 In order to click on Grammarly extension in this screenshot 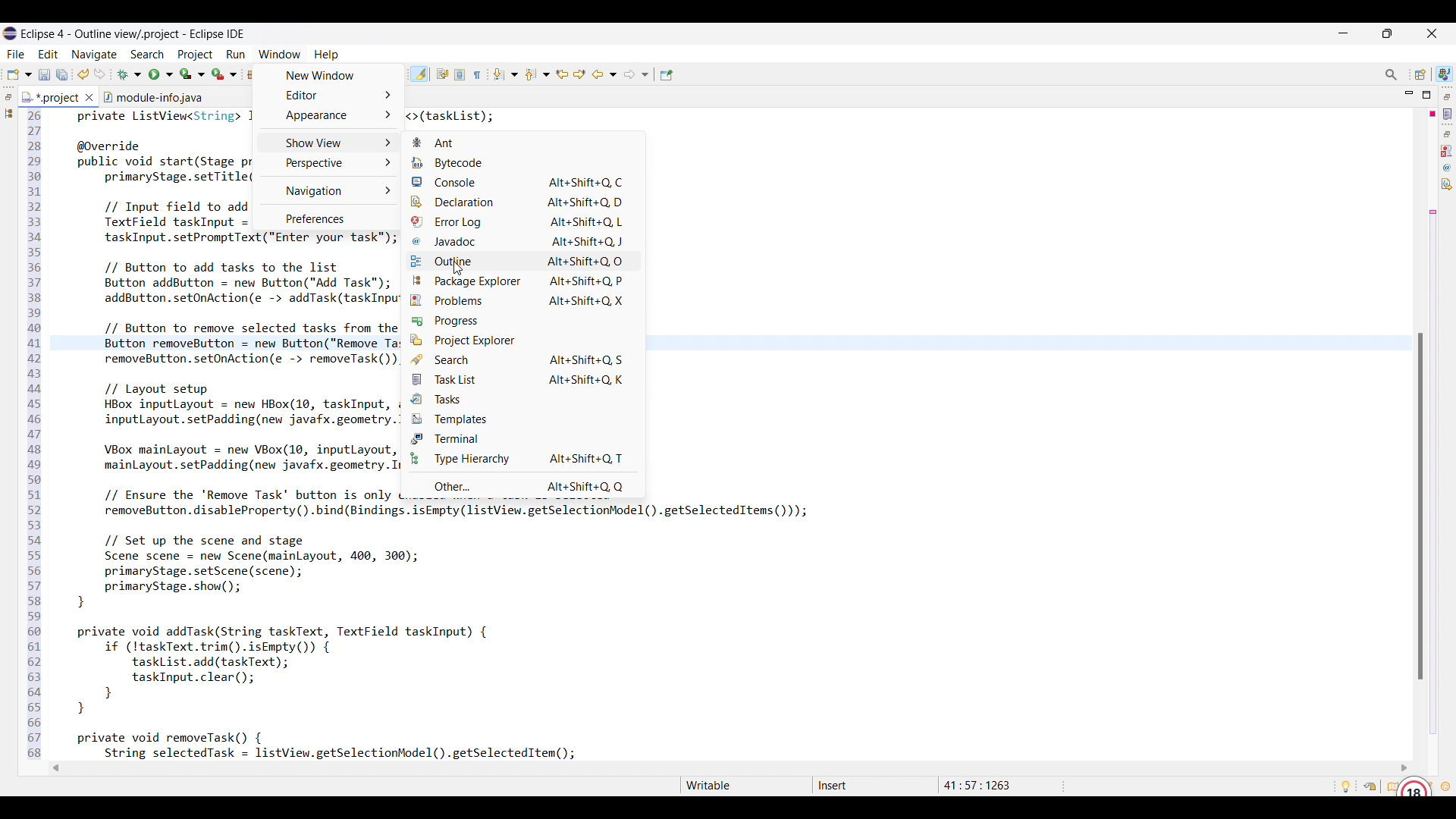, I will do `click(1414, 785)`.